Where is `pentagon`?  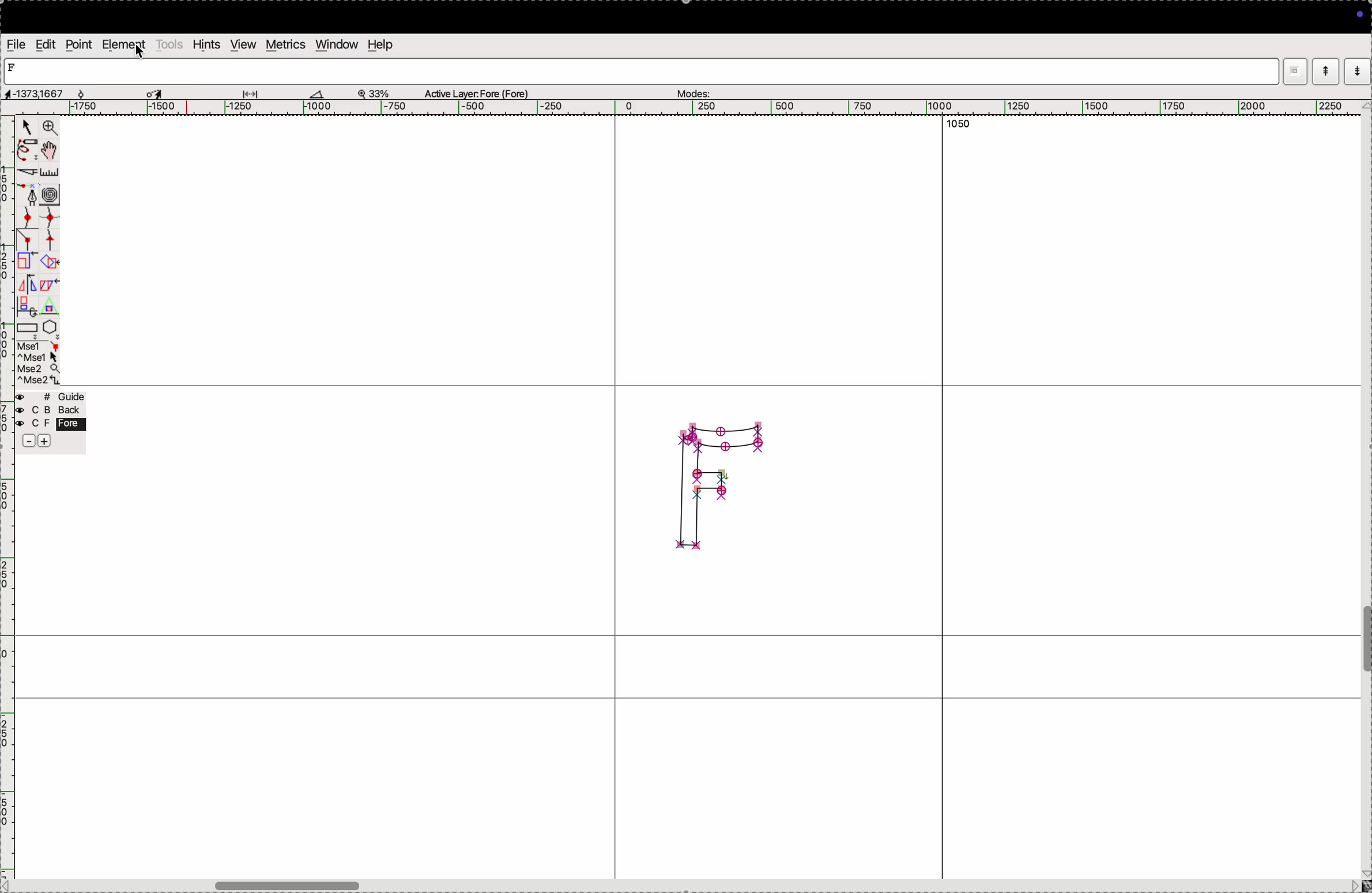
pentagon is located at coordinates (50, 327).